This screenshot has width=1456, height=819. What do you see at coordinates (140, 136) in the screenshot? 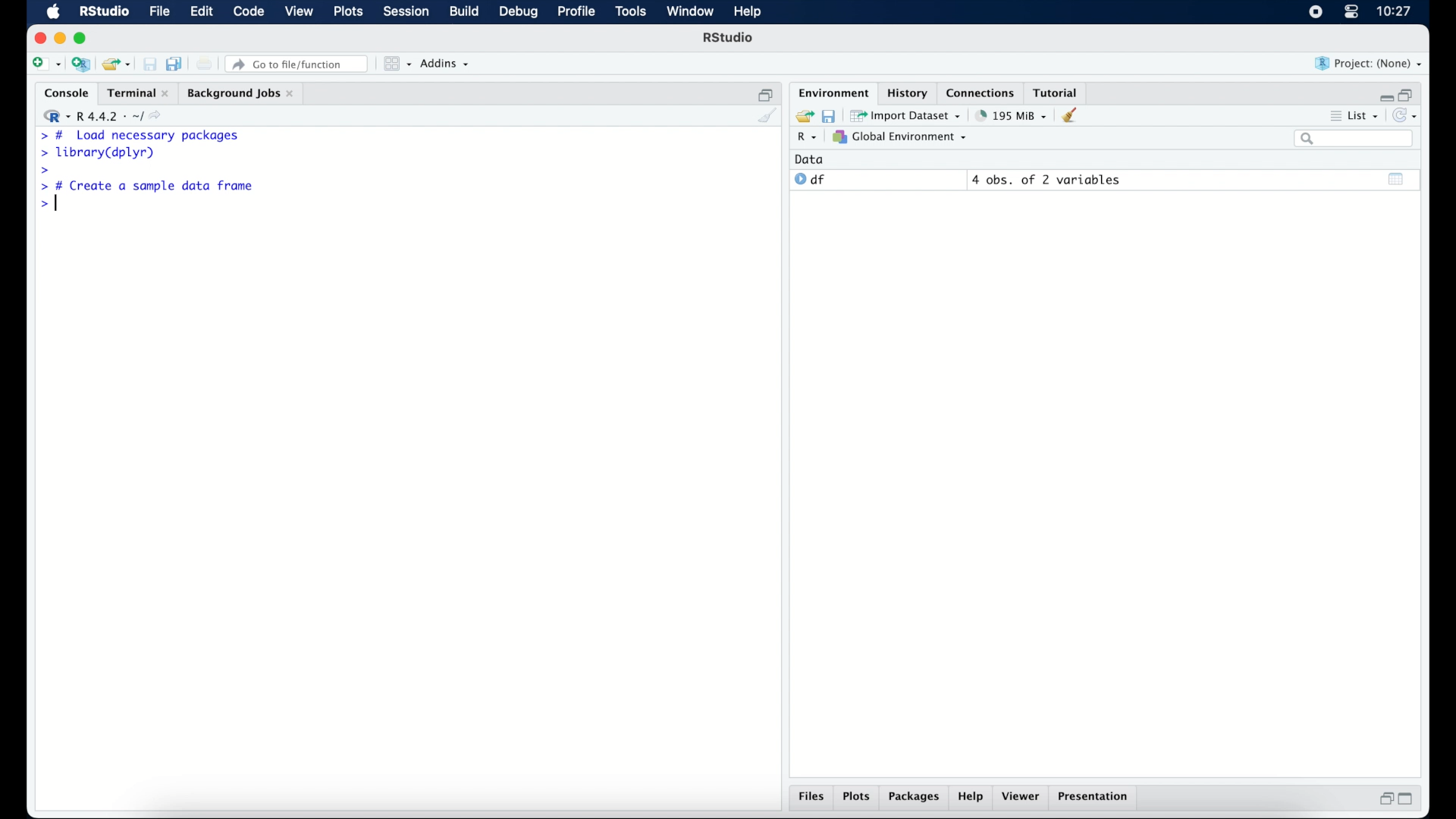
I see `> # Load necessary packages|` at bounding box center [140, 136].